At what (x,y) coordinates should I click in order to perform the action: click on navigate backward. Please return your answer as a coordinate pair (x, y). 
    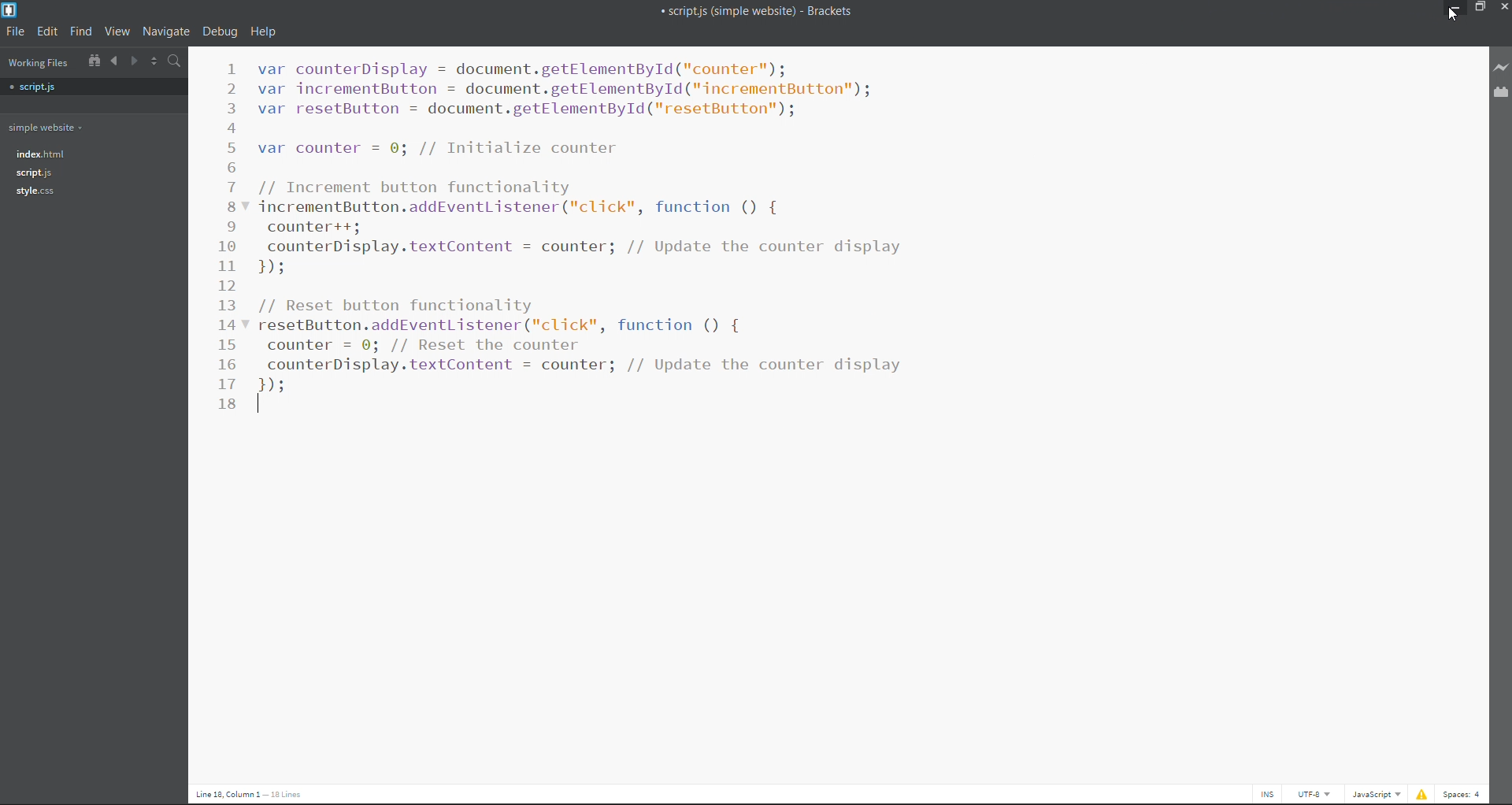
    Looking at the image, I should click on (113, 61).